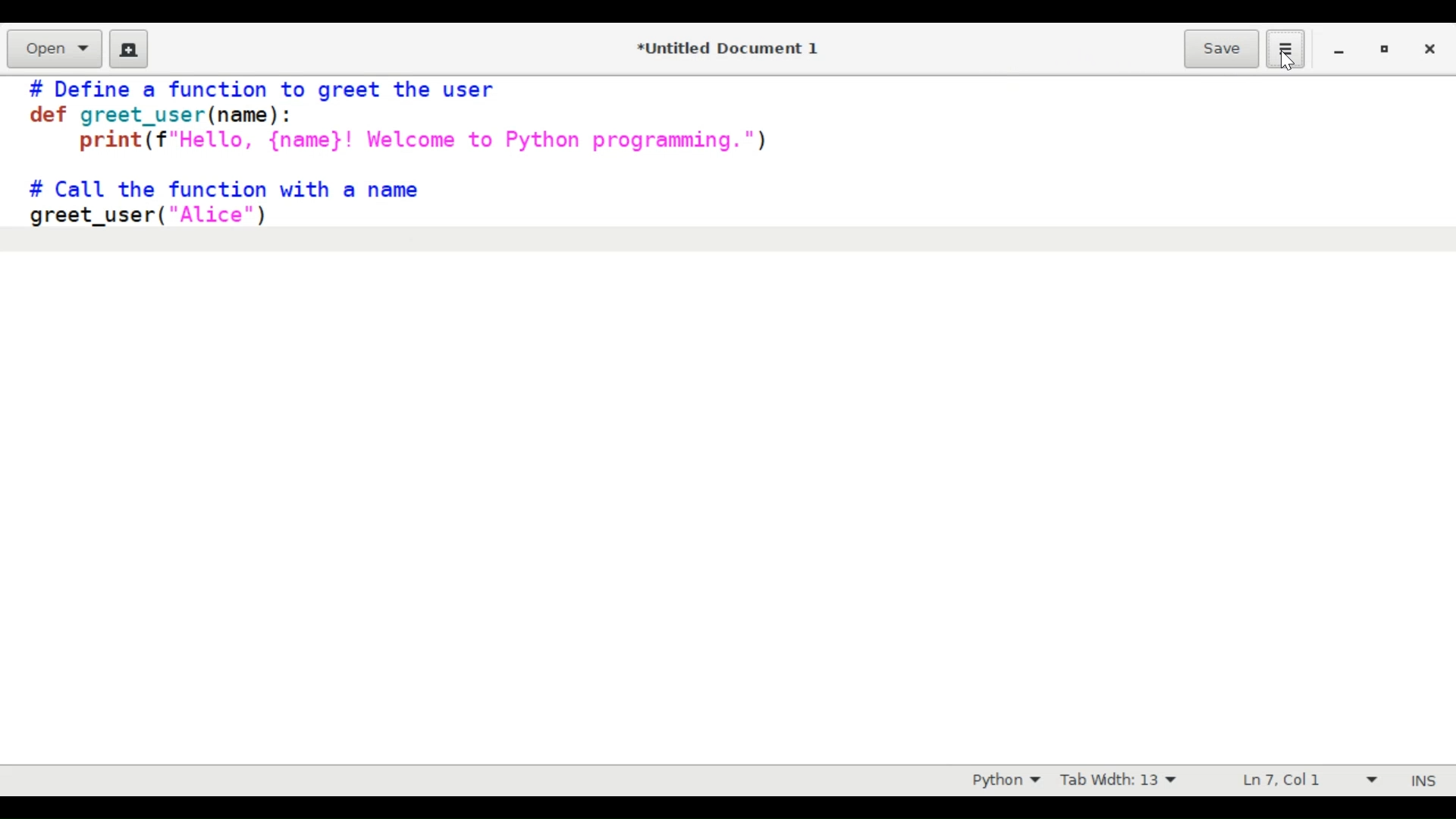 This screenshot has height=819, width=1456. I want to click on Close, so click(1428, 48).